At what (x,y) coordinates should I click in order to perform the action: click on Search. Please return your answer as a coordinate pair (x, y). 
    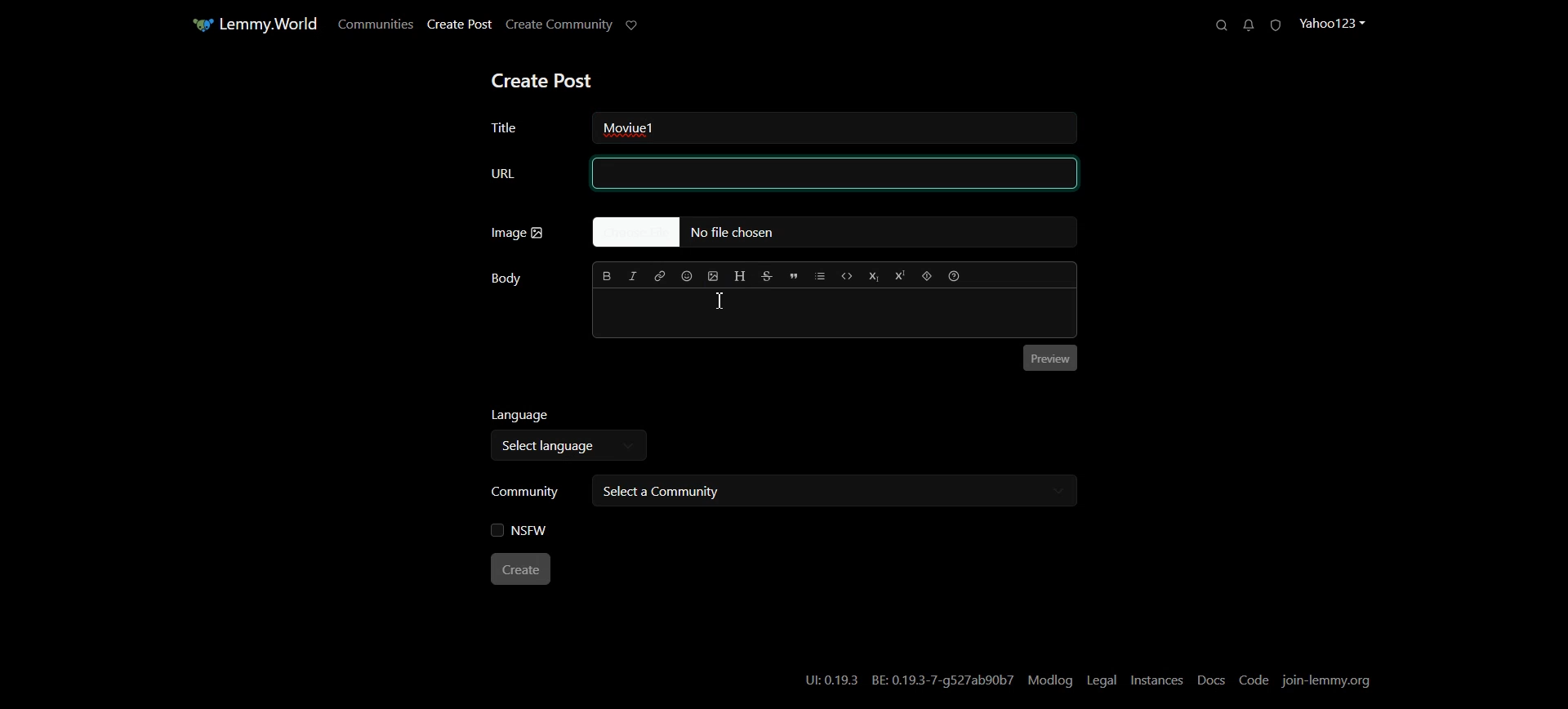
    Looking at the image, I should click on (1217, 25).